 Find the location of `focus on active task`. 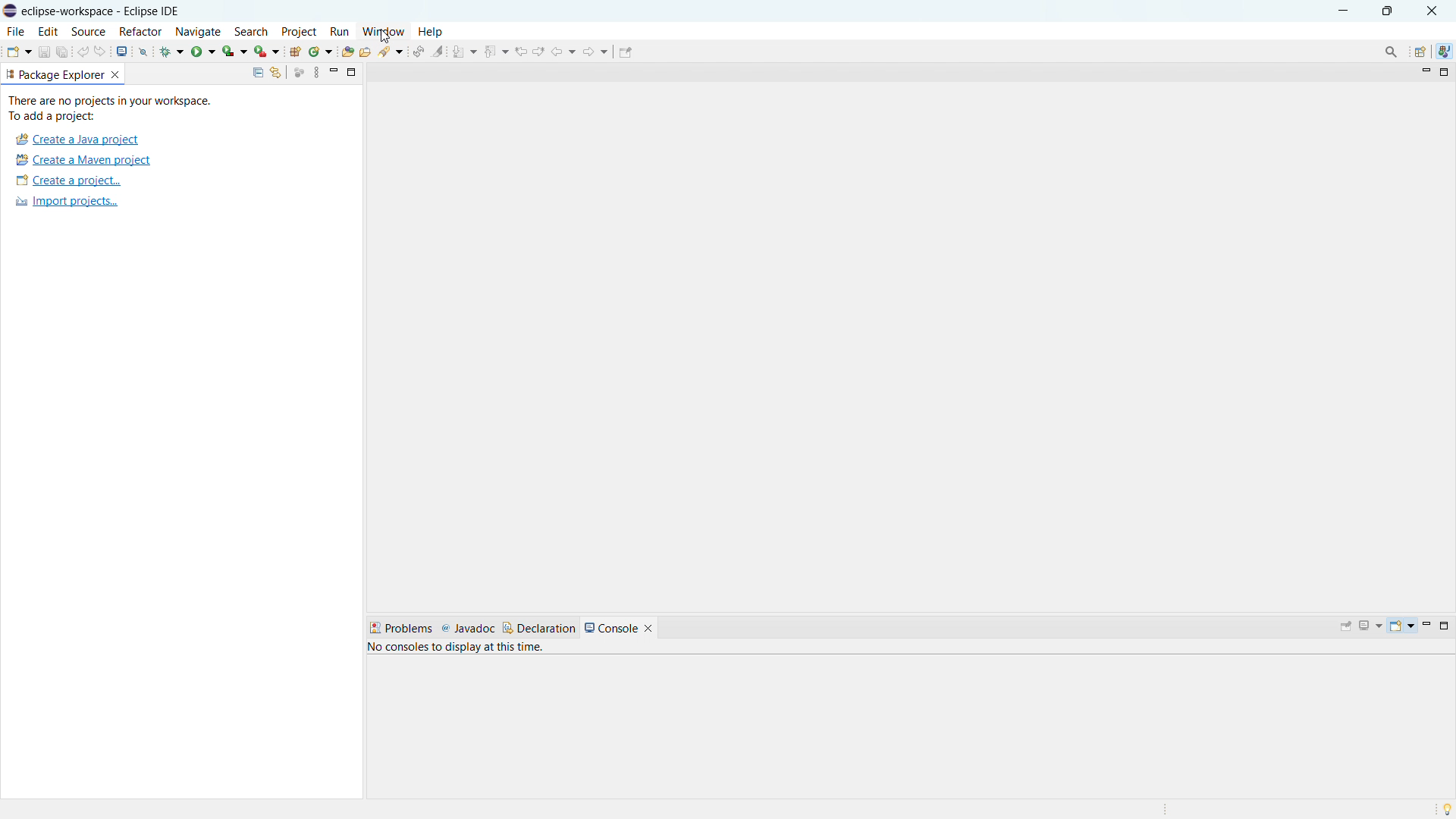

focus on active task is located at coordinates (297, 71).